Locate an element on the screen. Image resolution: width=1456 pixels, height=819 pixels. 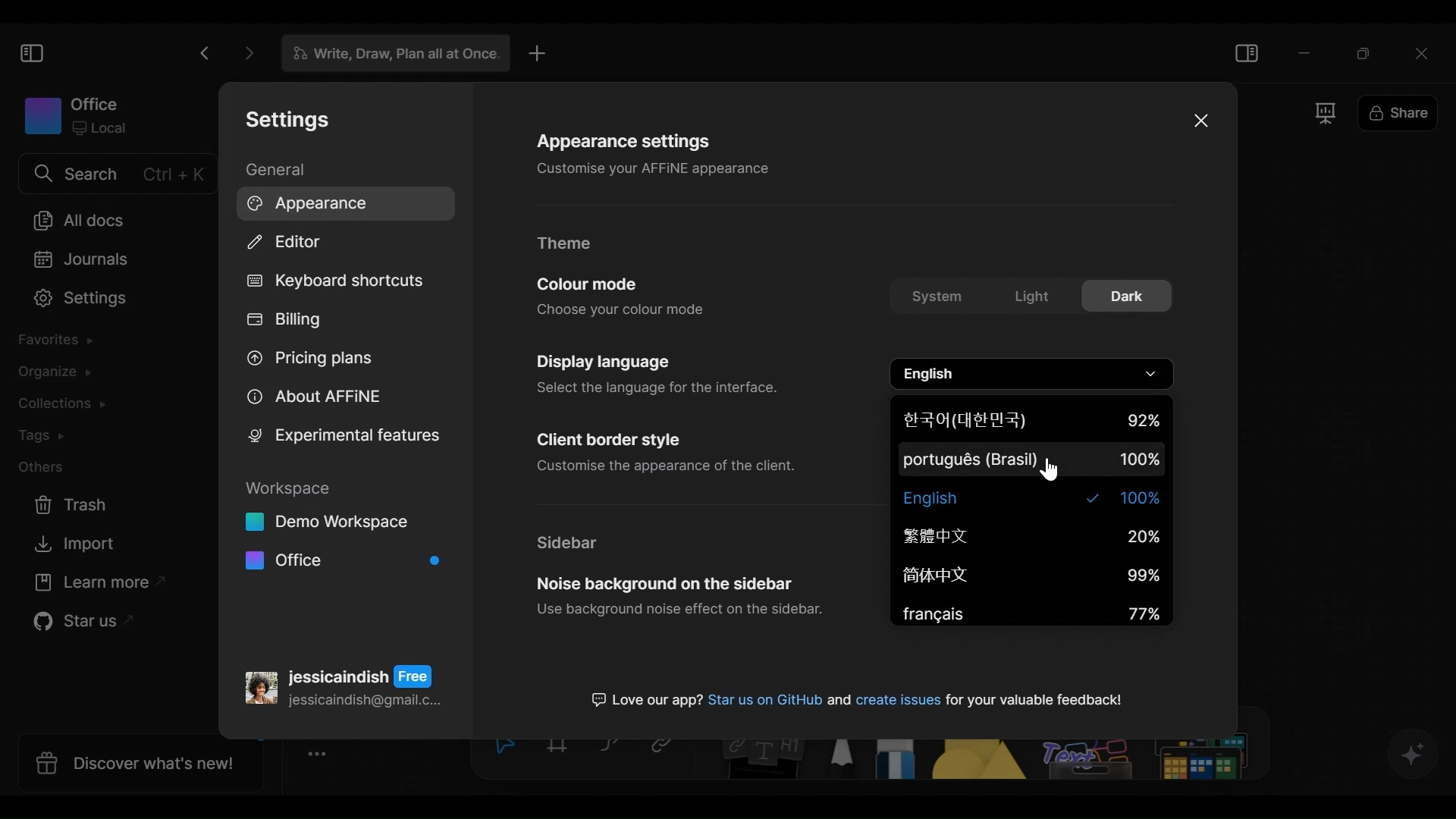
Shape is located at coordinates (981, 761).